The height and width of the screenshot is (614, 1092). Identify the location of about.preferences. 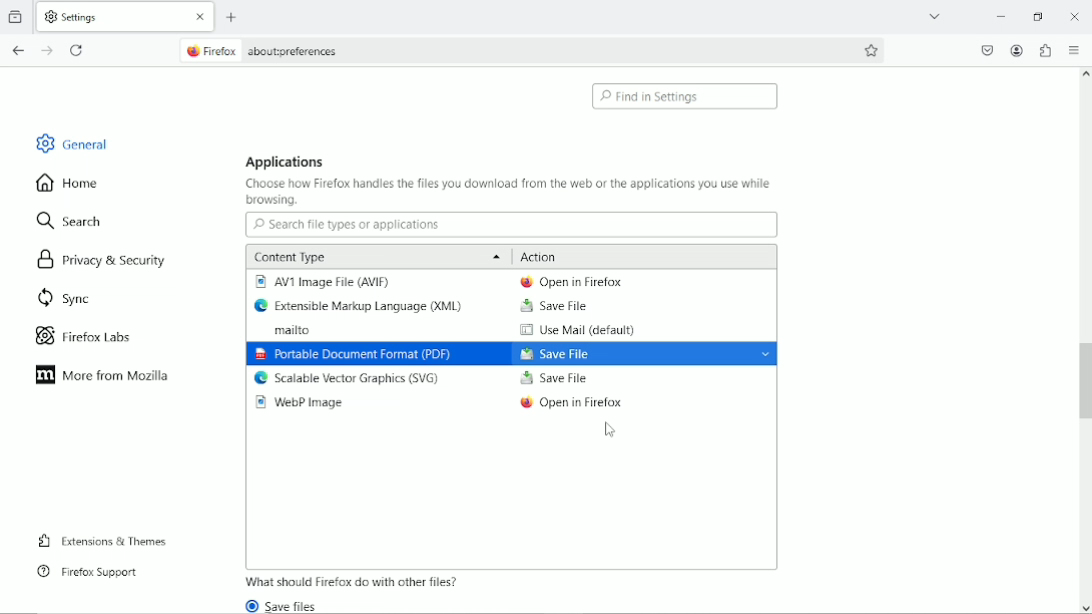
(262, 49).